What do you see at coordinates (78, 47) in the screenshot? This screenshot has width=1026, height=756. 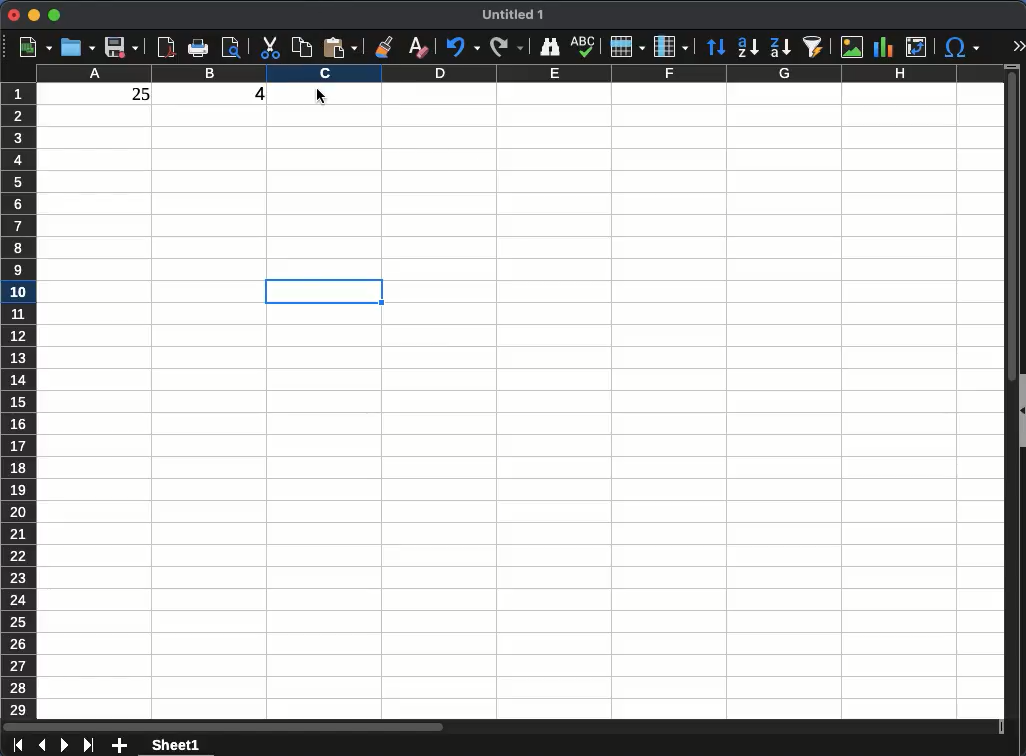 I see `open` at bounding box center [78, 47].